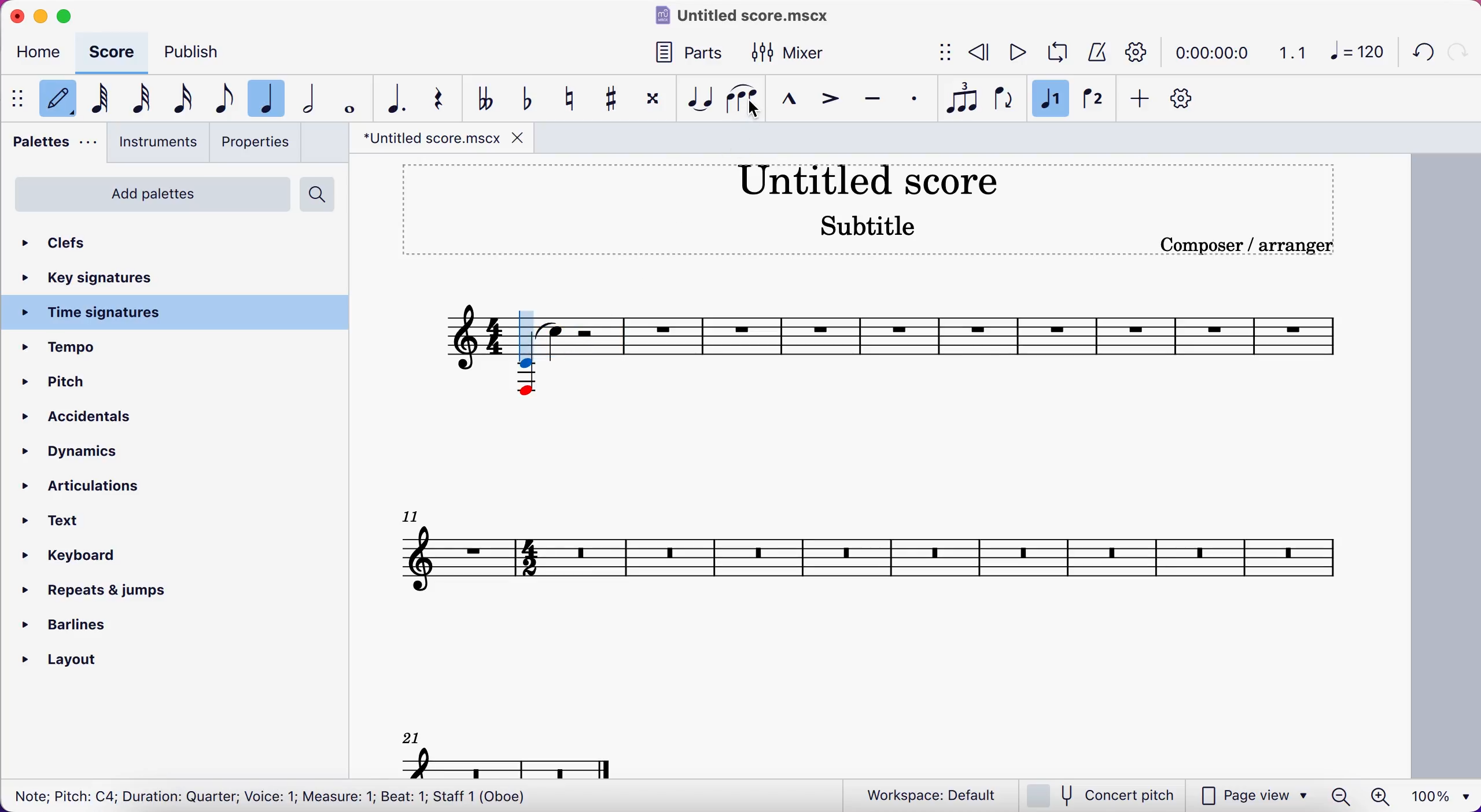 The image size is (1481, 812). Describe the element at coordinates (915, 99) in the screenshot. I see `stacatto` at that location.